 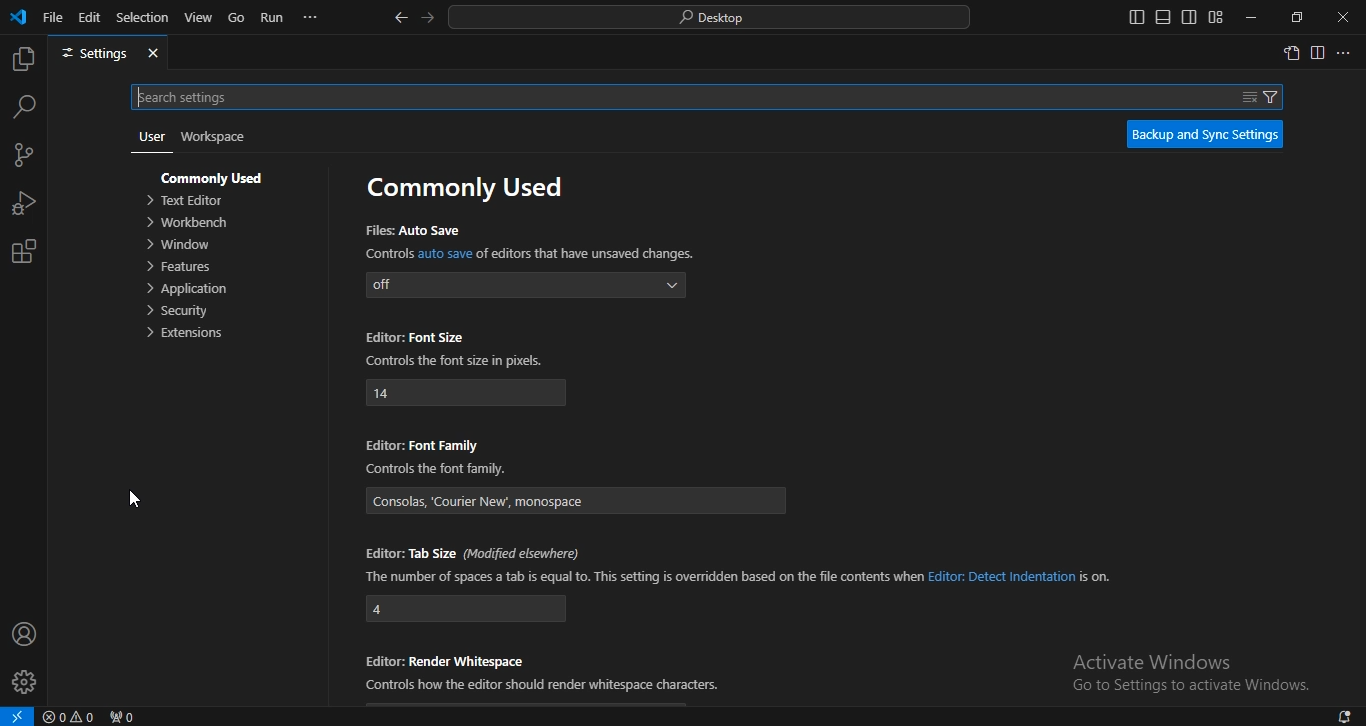 I want to click on edit, so click(x=90, y=17).